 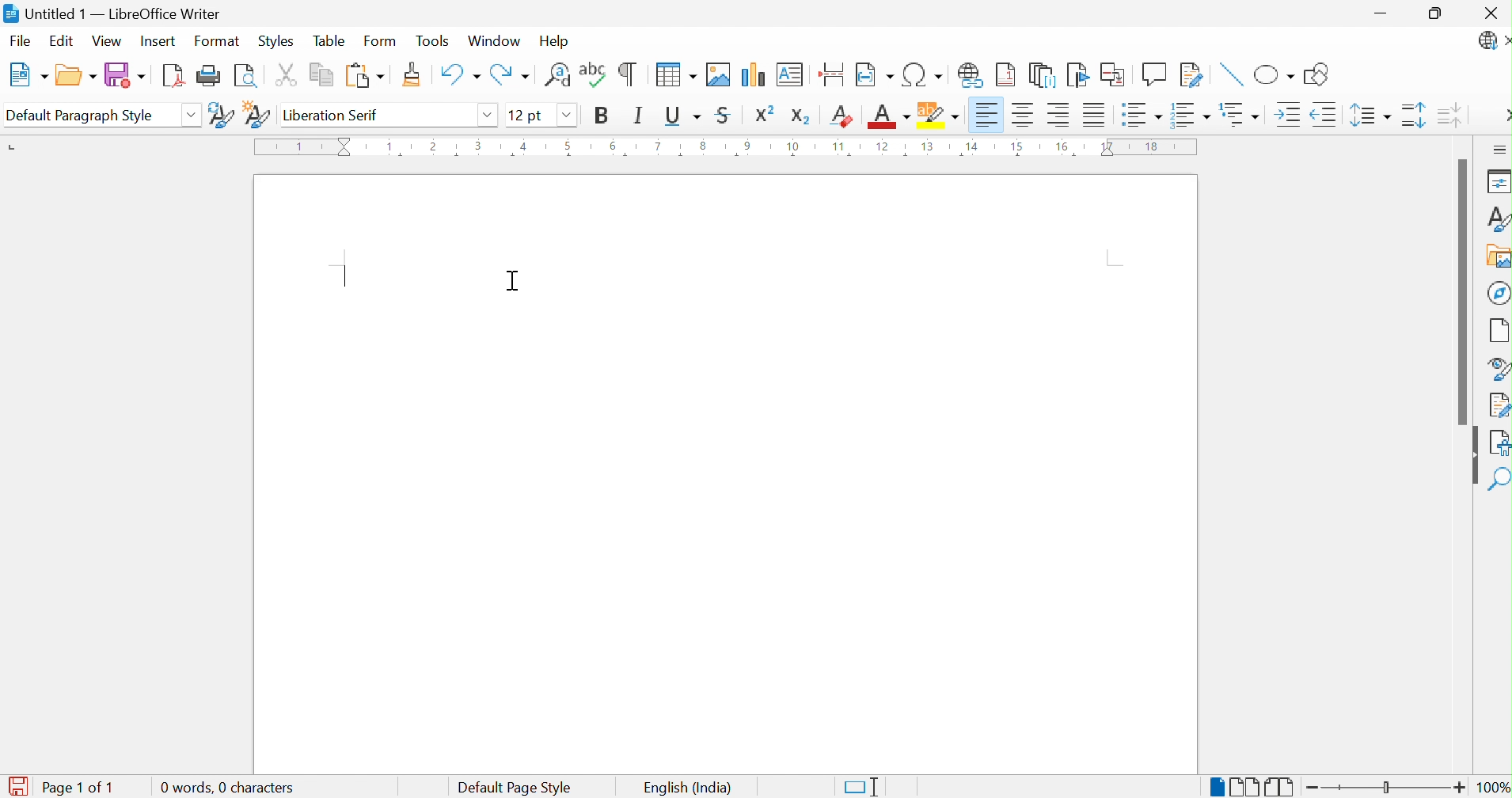 I want to click on Italic, so click(x=642, y=115).